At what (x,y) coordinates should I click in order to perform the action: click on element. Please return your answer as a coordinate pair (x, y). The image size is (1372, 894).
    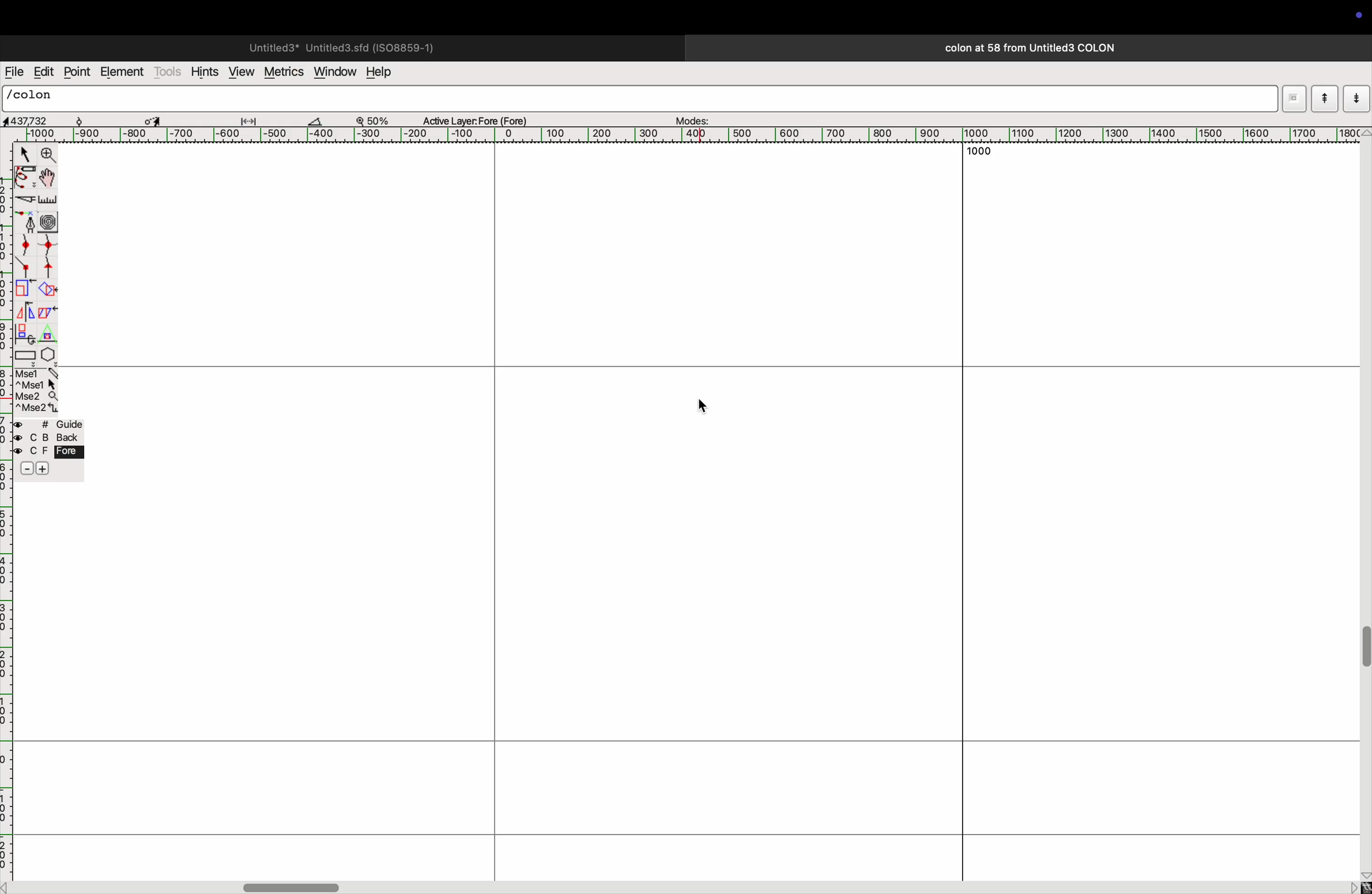
    Looking at the image, I should click on (122, 73).